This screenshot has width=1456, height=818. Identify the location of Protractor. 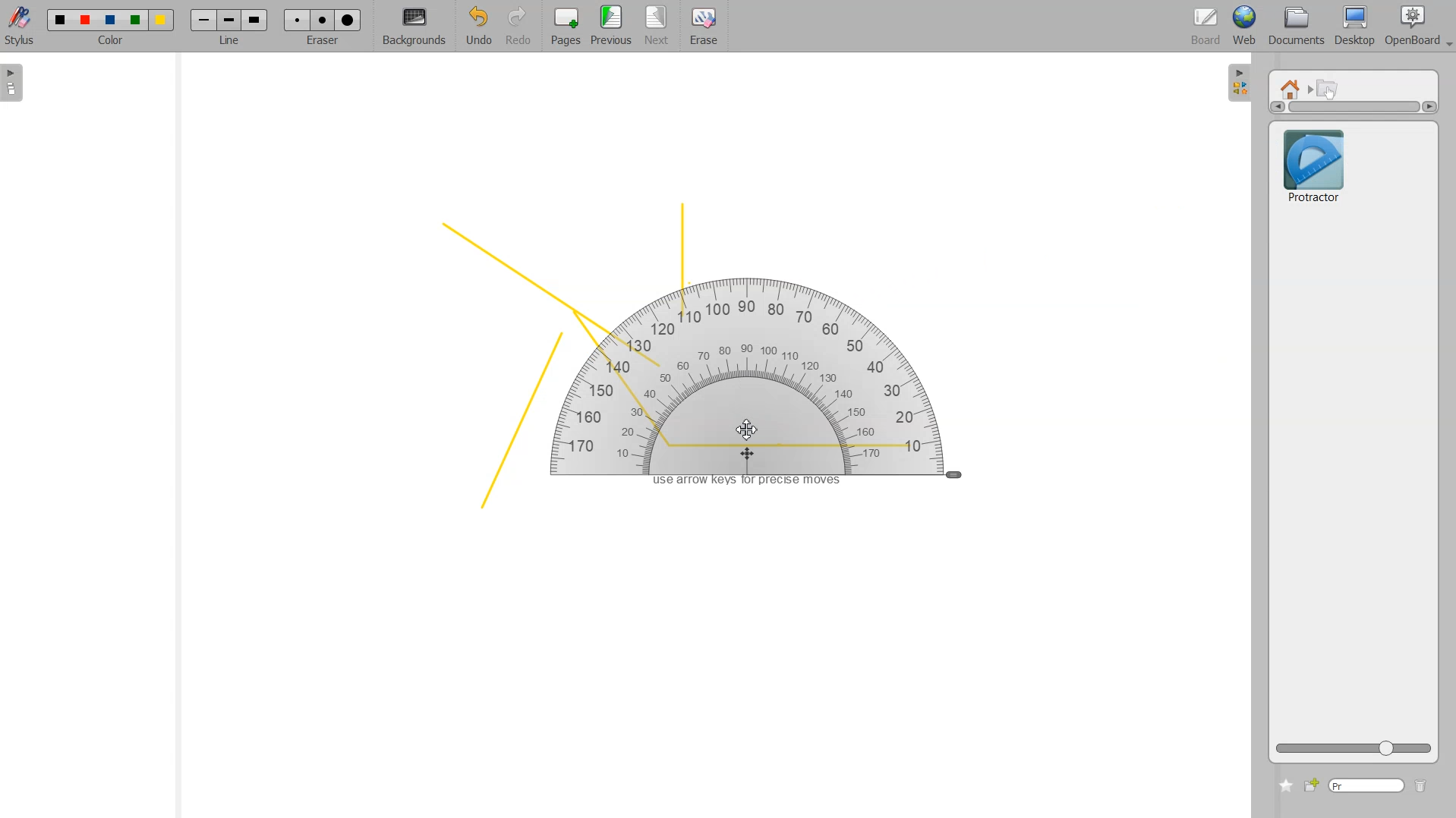
(778, 386).